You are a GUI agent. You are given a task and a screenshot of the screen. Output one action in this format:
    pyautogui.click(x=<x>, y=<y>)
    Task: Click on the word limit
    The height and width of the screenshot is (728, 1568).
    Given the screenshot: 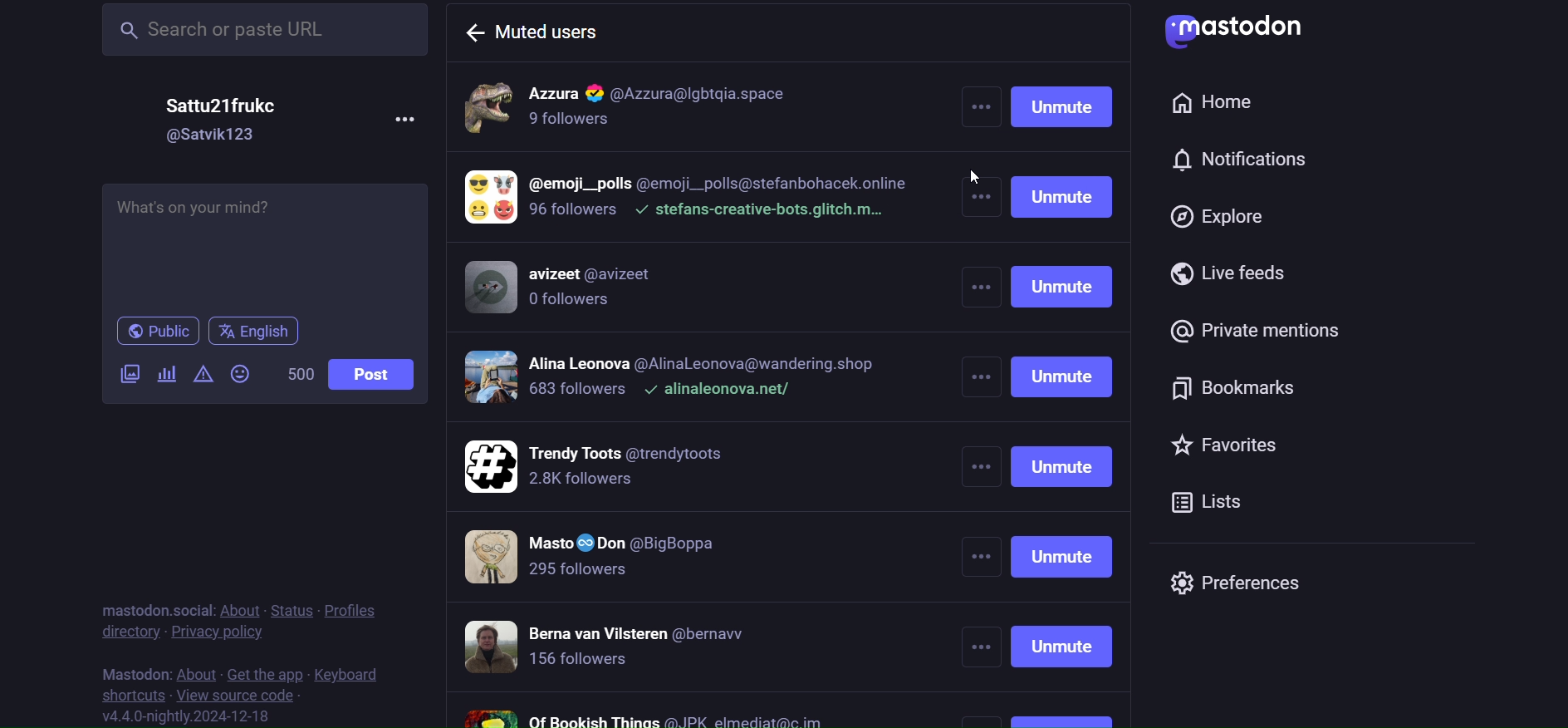 What is the action you would take?
    pyautogui.click(x=304, y=371)
    